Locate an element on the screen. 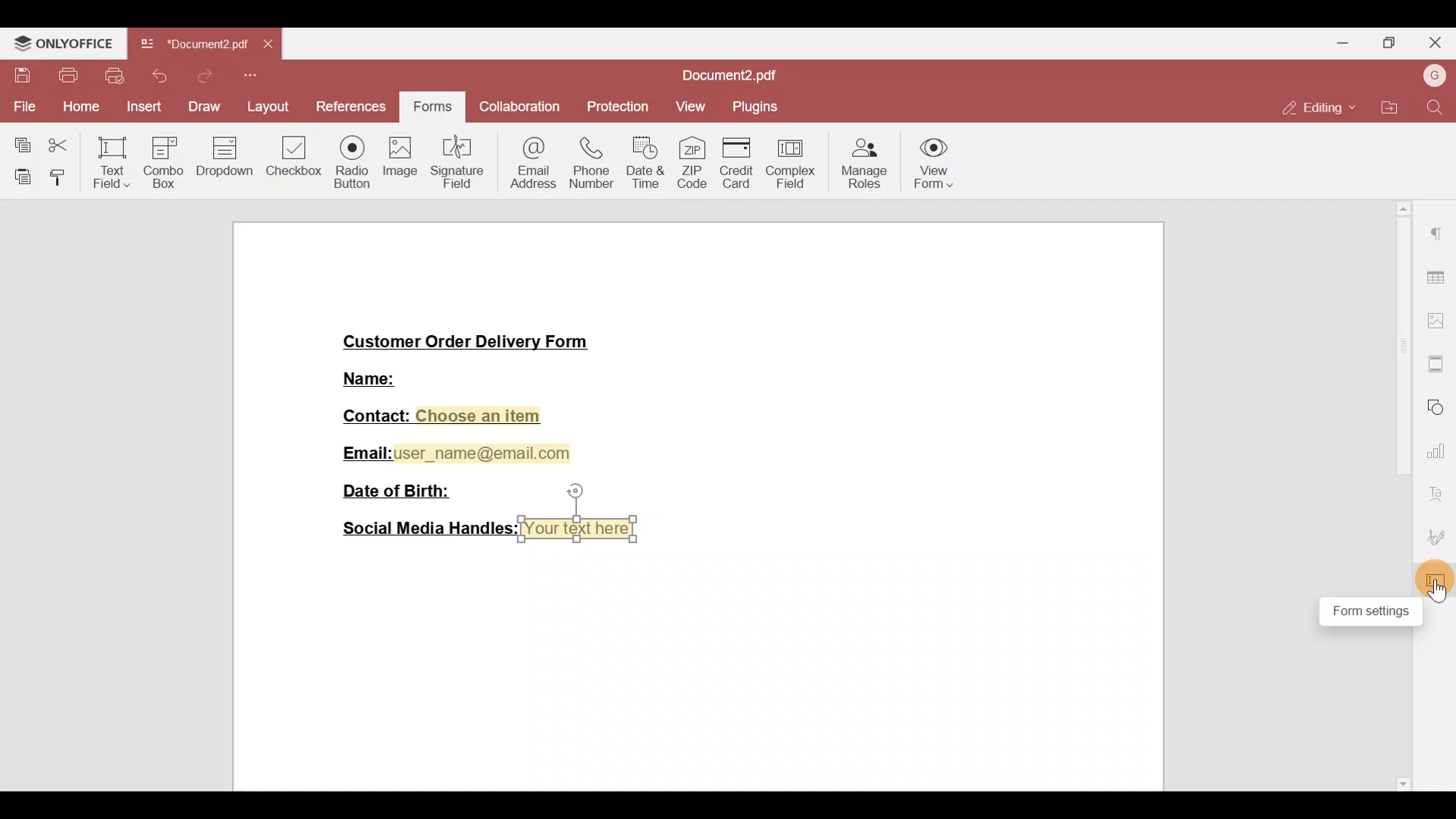 Image resolution: width=1456 pixels, height=819 pixels. Dropdown is located at coordinates (227, 158).